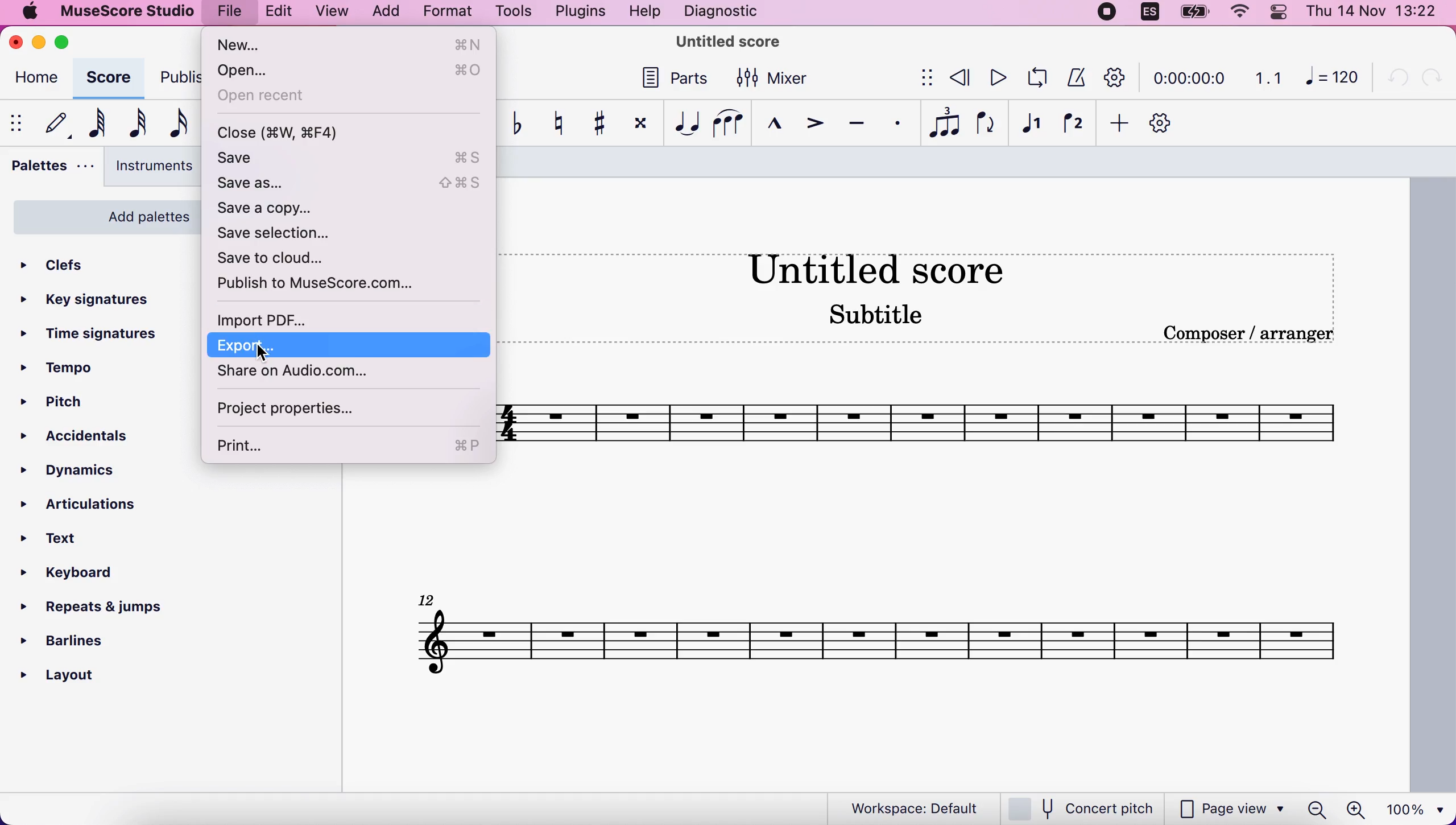  Describe the element at coordinates (336, 208) in the screenshot. I see `save a copy` at that location.